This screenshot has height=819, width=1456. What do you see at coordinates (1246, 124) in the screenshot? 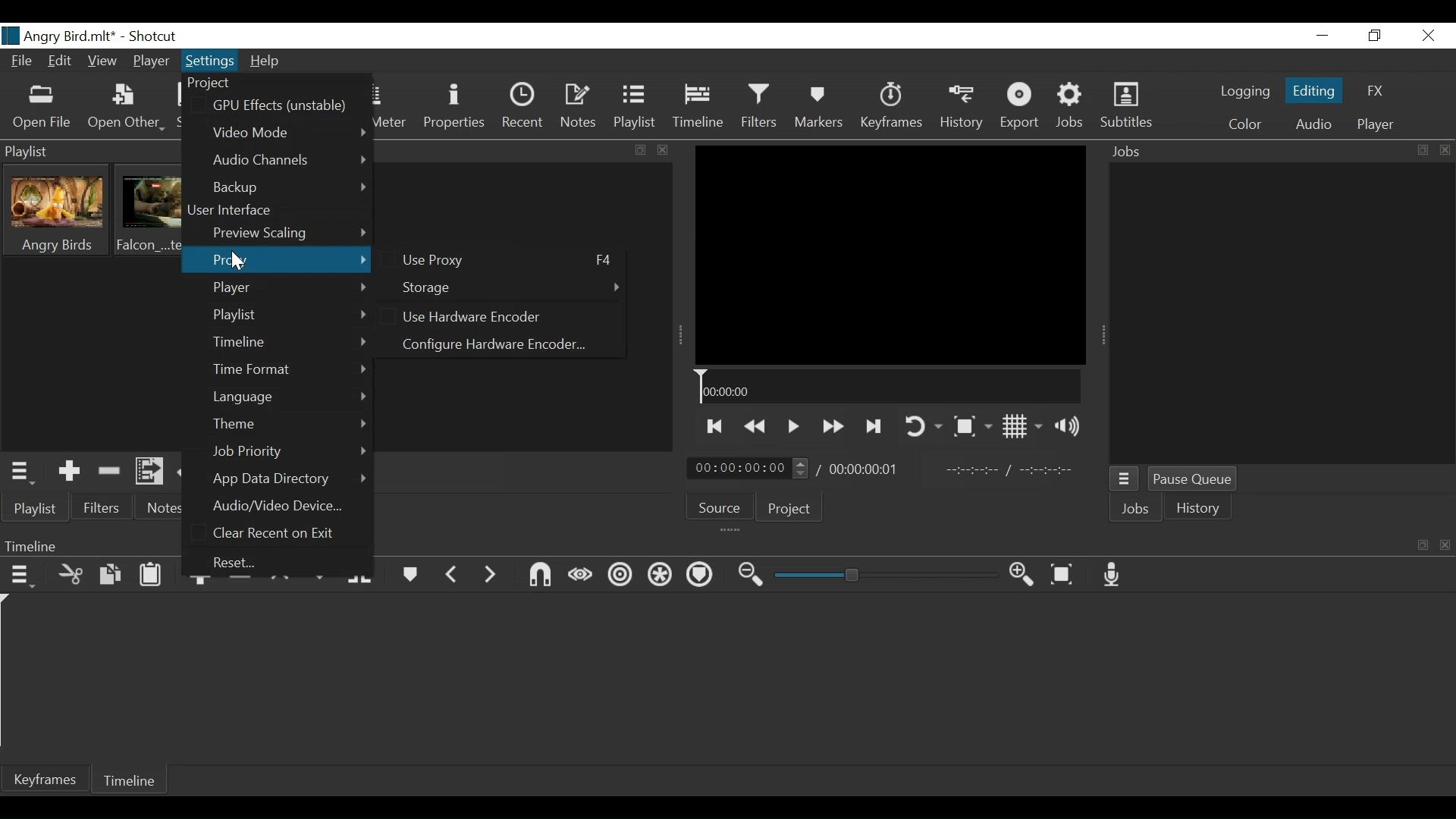
I see `Color` at bounding box center [1246, 124].